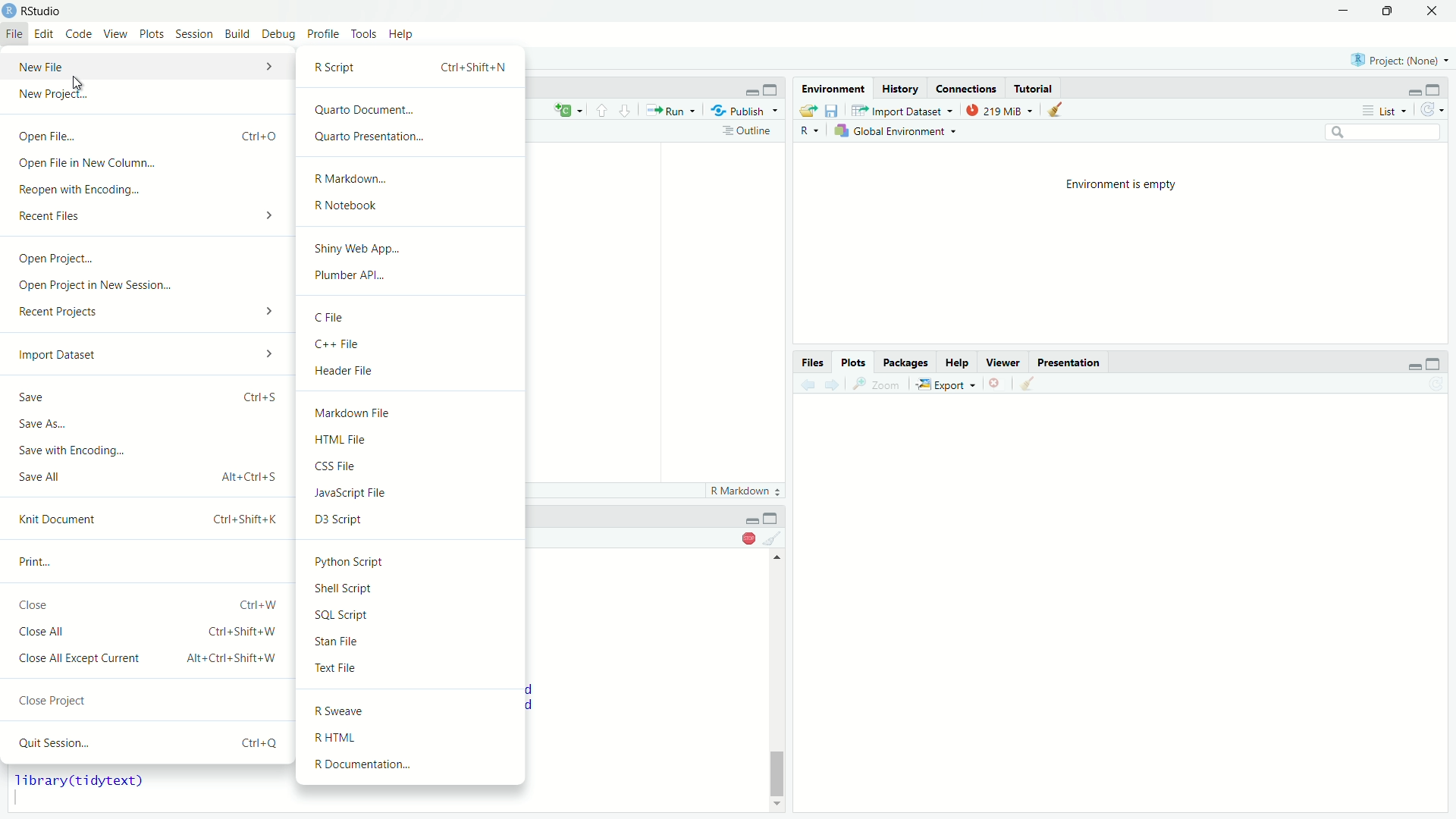 Image resolution: width=1456 pixels, height=819 pixels. Describe the element at coordinates (14, 34) in the screenshot. I see `File` at that location.